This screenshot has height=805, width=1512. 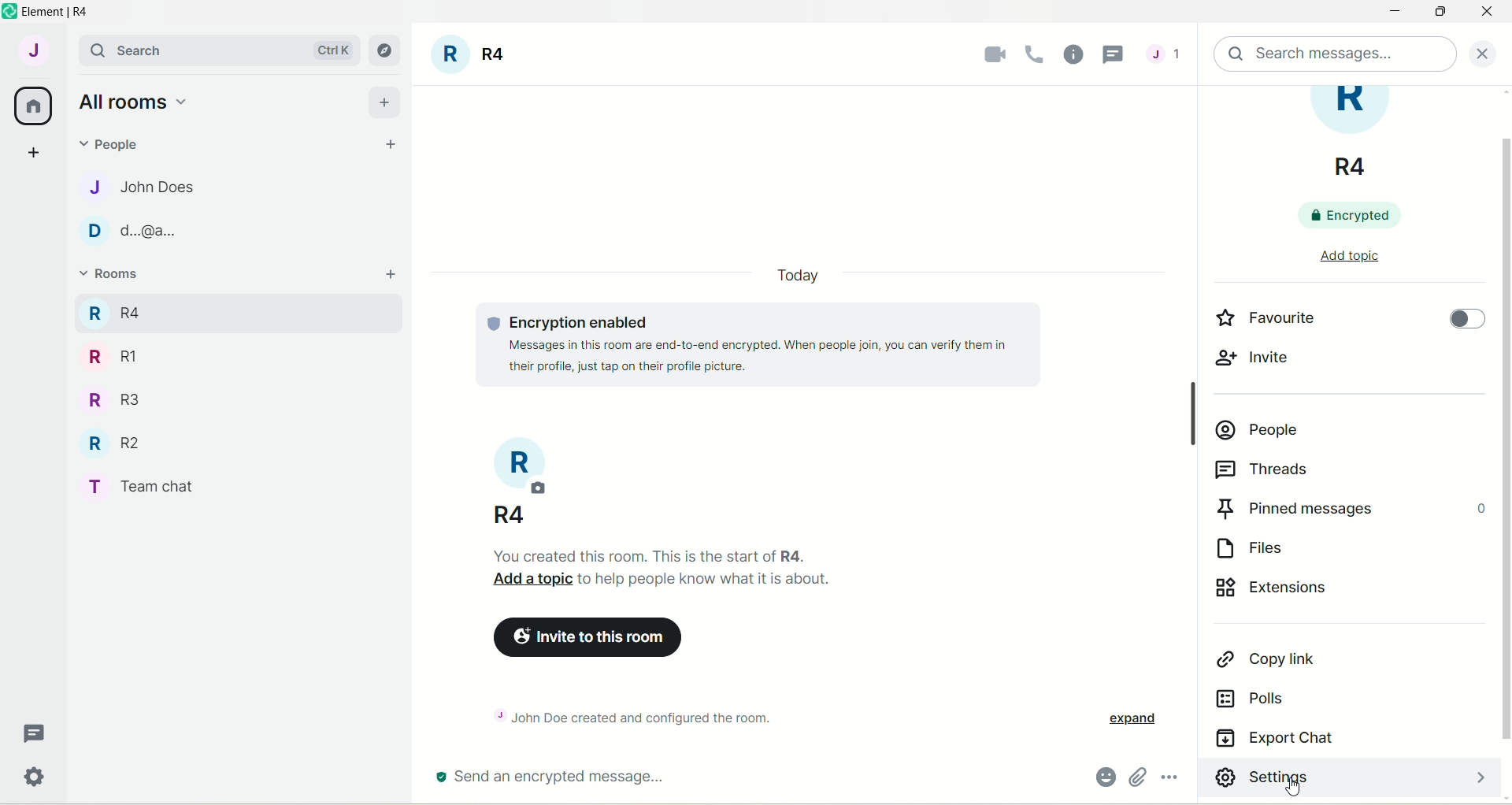 What do you see at coordinates (1348, 779) in the screenshot?
I see `settings` at bounding box center [1348, 779].